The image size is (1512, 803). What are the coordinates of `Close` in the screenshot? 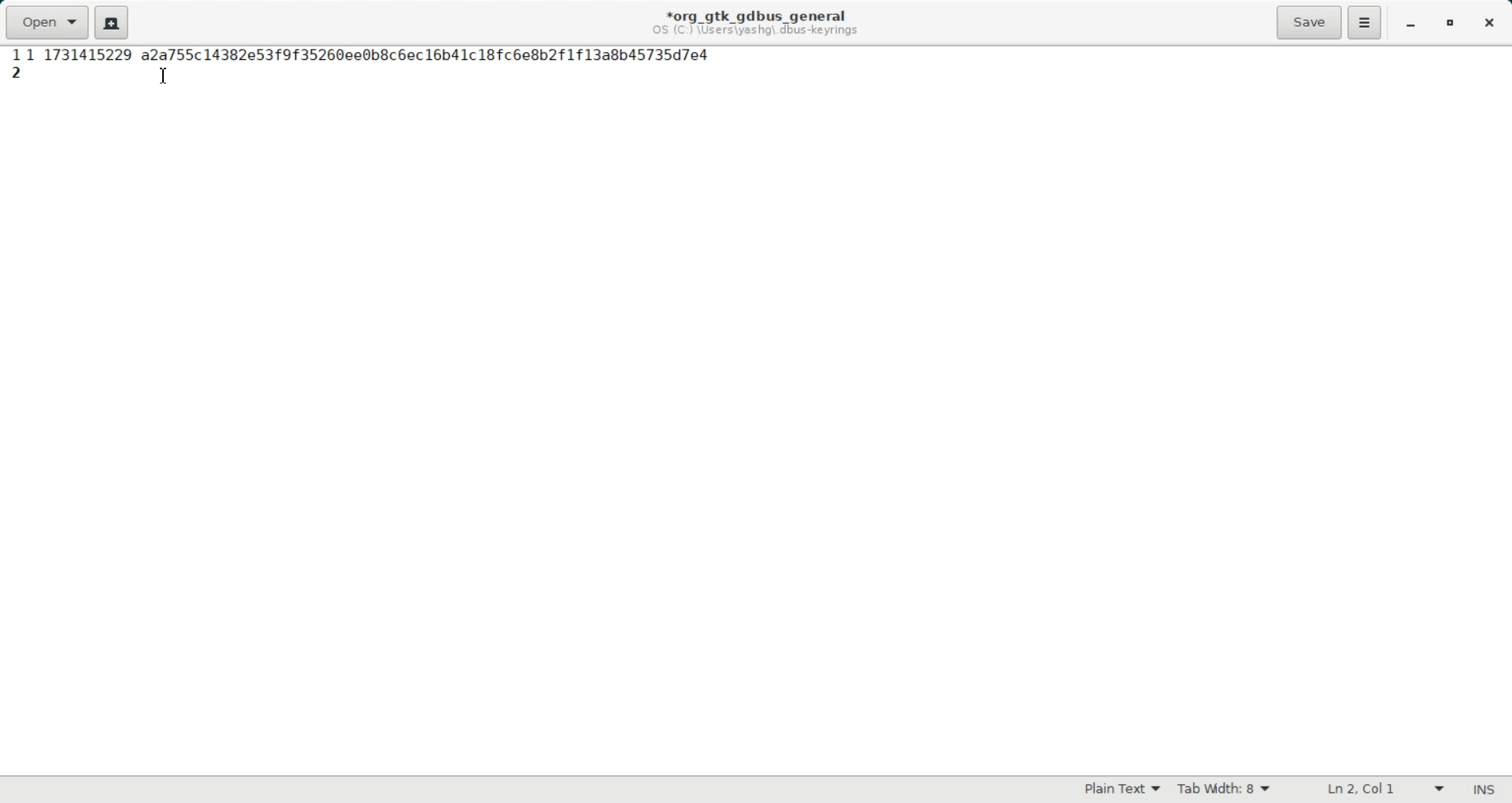 It's located at (1488, 24).